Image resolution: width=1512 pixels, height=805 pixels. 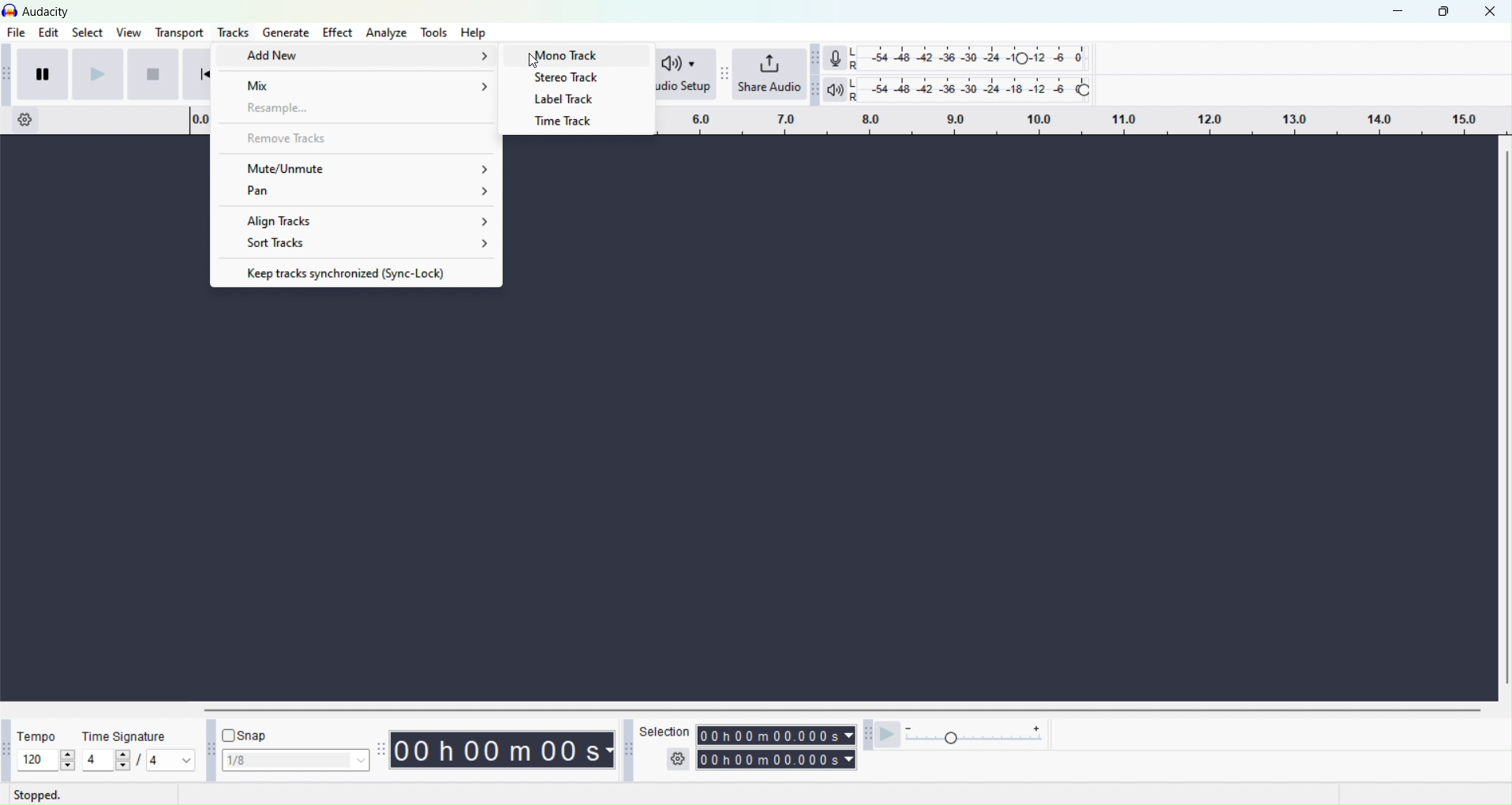 What do you see at coordinates (724, 75) in the screenshot?
I see `Audacity share audio toolbar` at bounding box center [724, 75].